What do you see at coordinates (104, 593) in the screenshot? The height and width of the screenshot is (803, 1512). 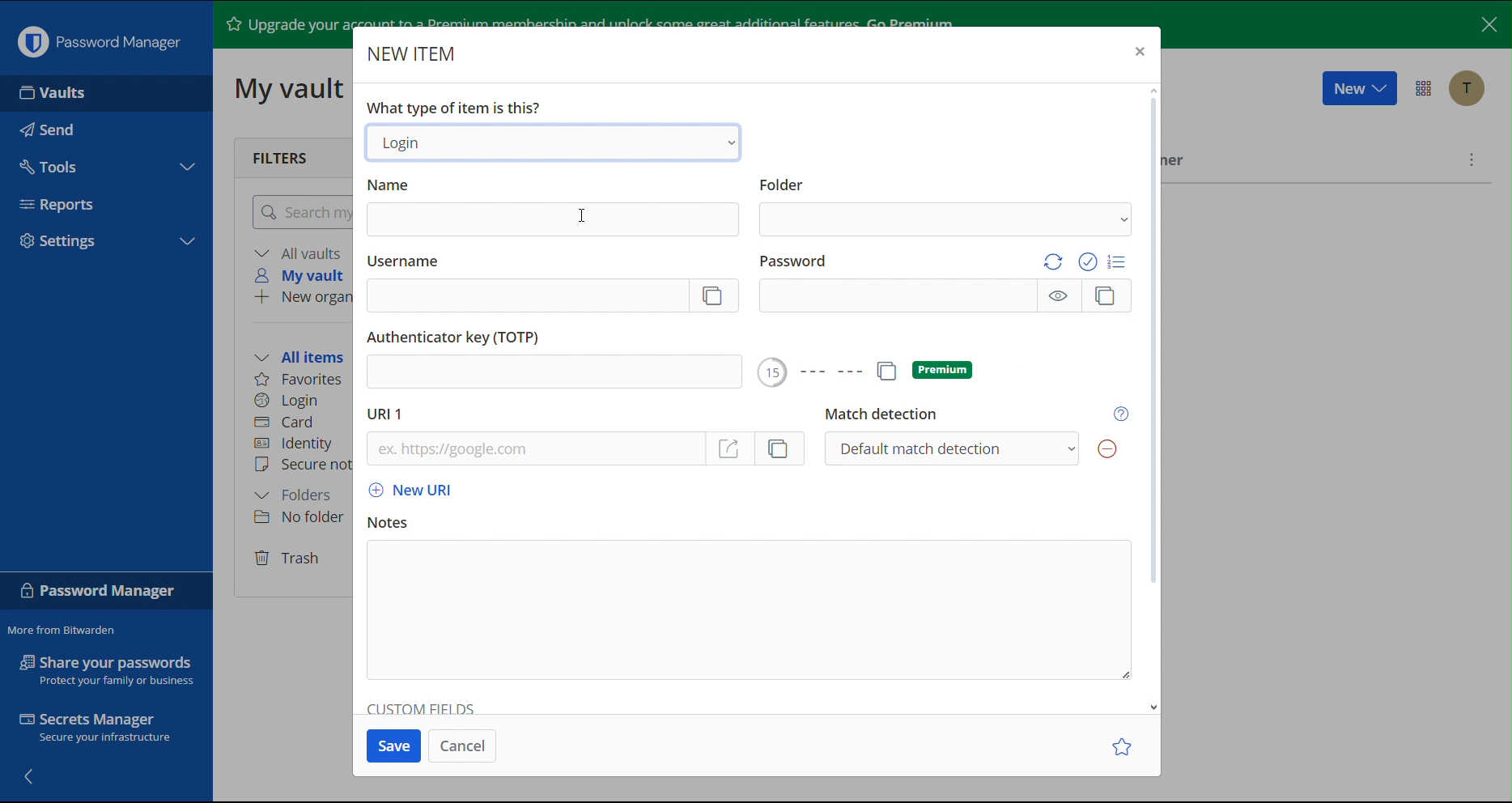 I see `Password Manager` at bounding box center [104, 593].